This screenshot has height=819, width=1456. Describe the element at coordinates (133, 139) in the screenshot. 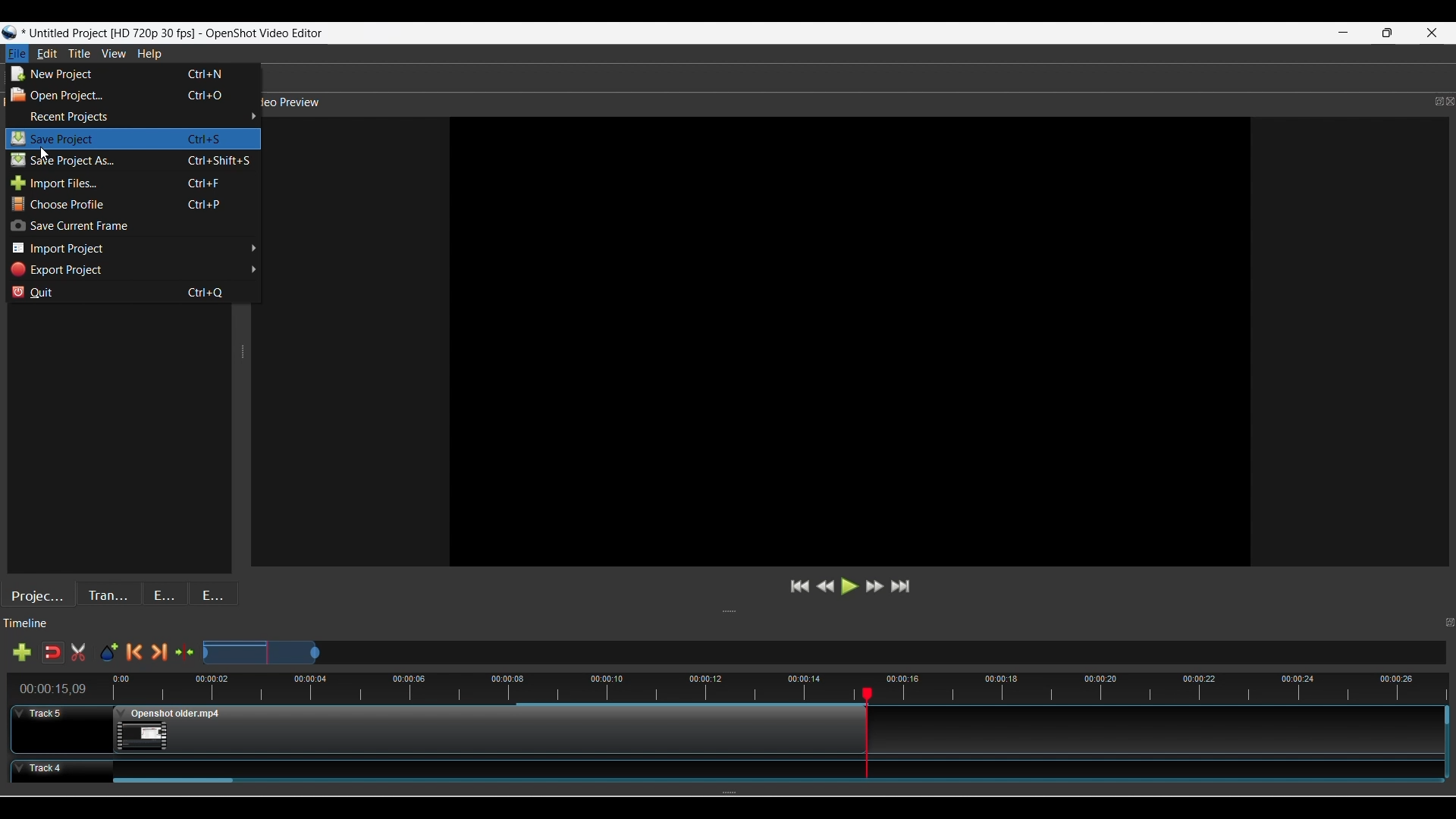

I see `Save project highlighted` at that location.